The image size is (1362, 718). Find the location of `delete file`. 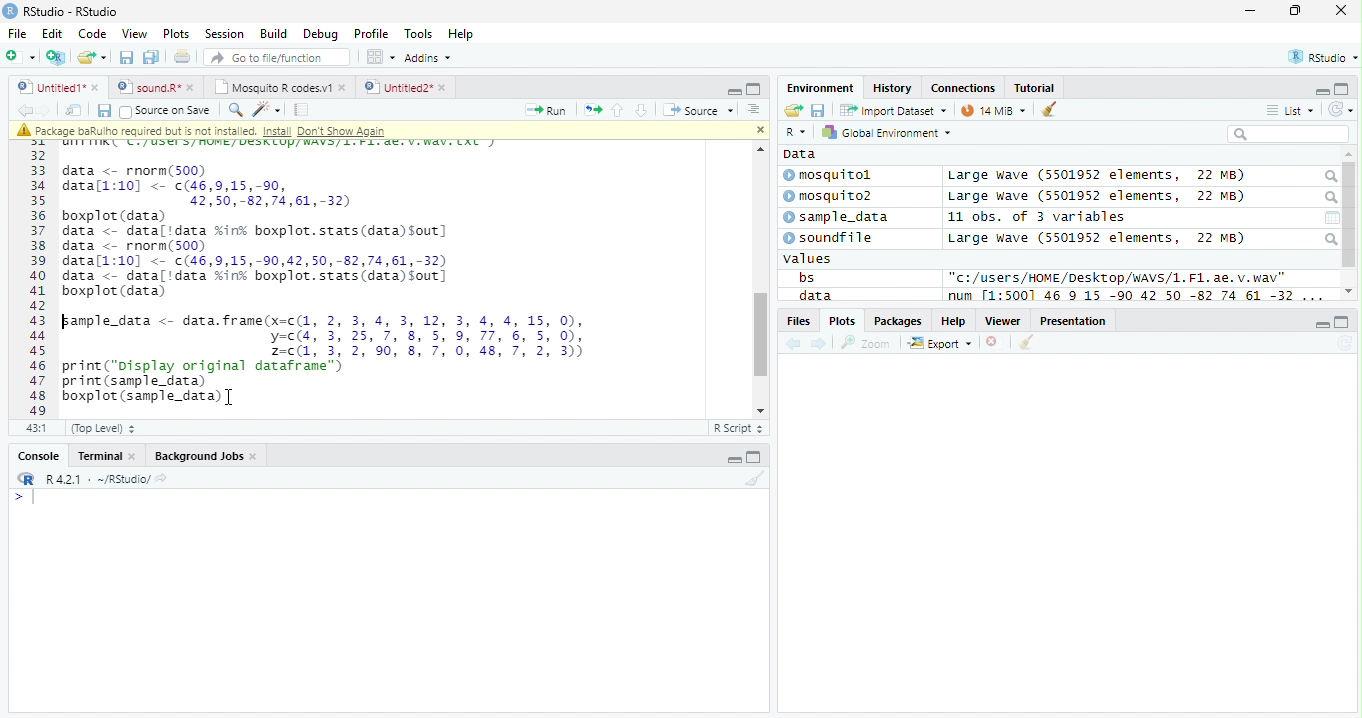

delete file is located at coordinates (996, 342).